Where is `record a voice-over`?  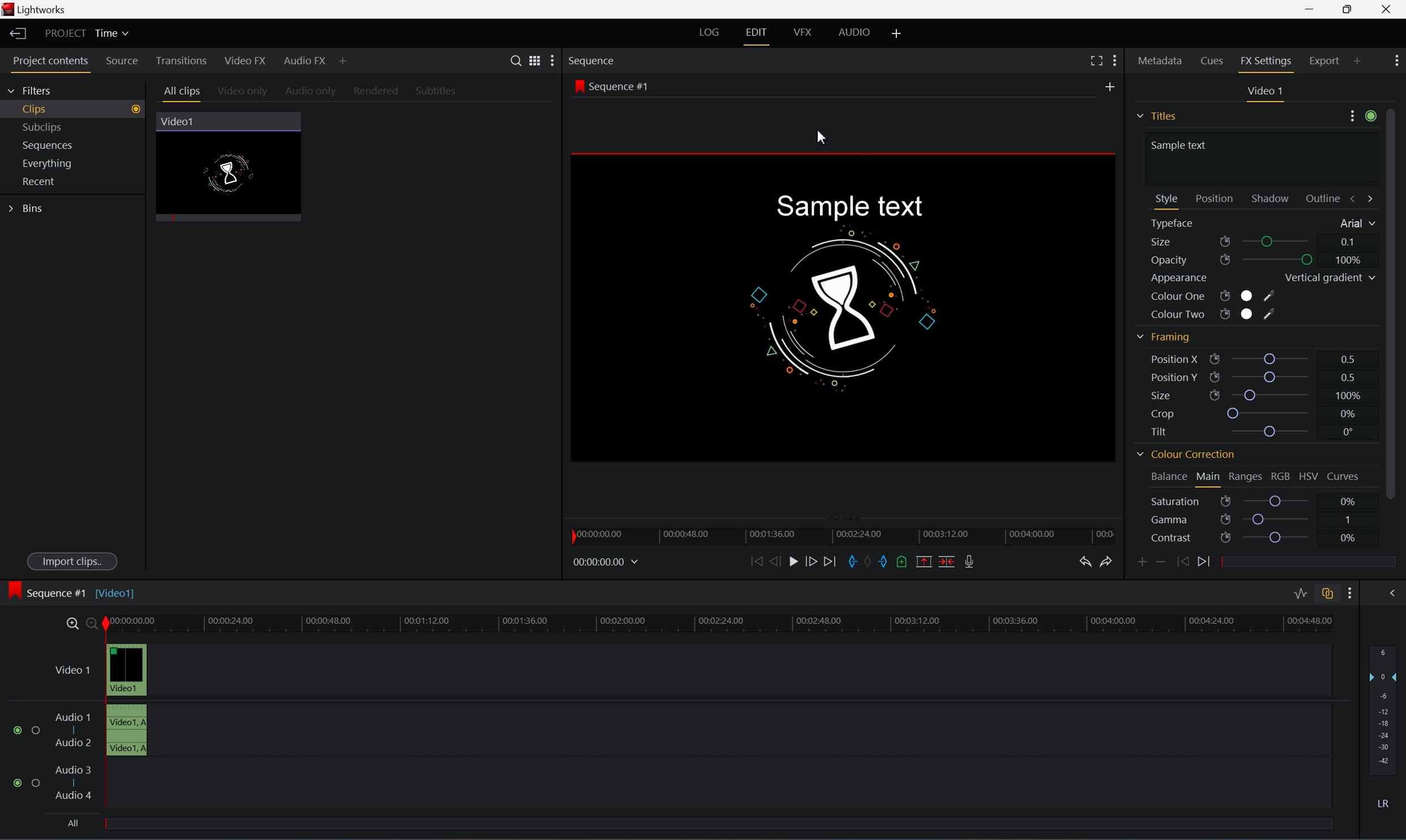
record a voice-over is located at coordinates (972, 561).